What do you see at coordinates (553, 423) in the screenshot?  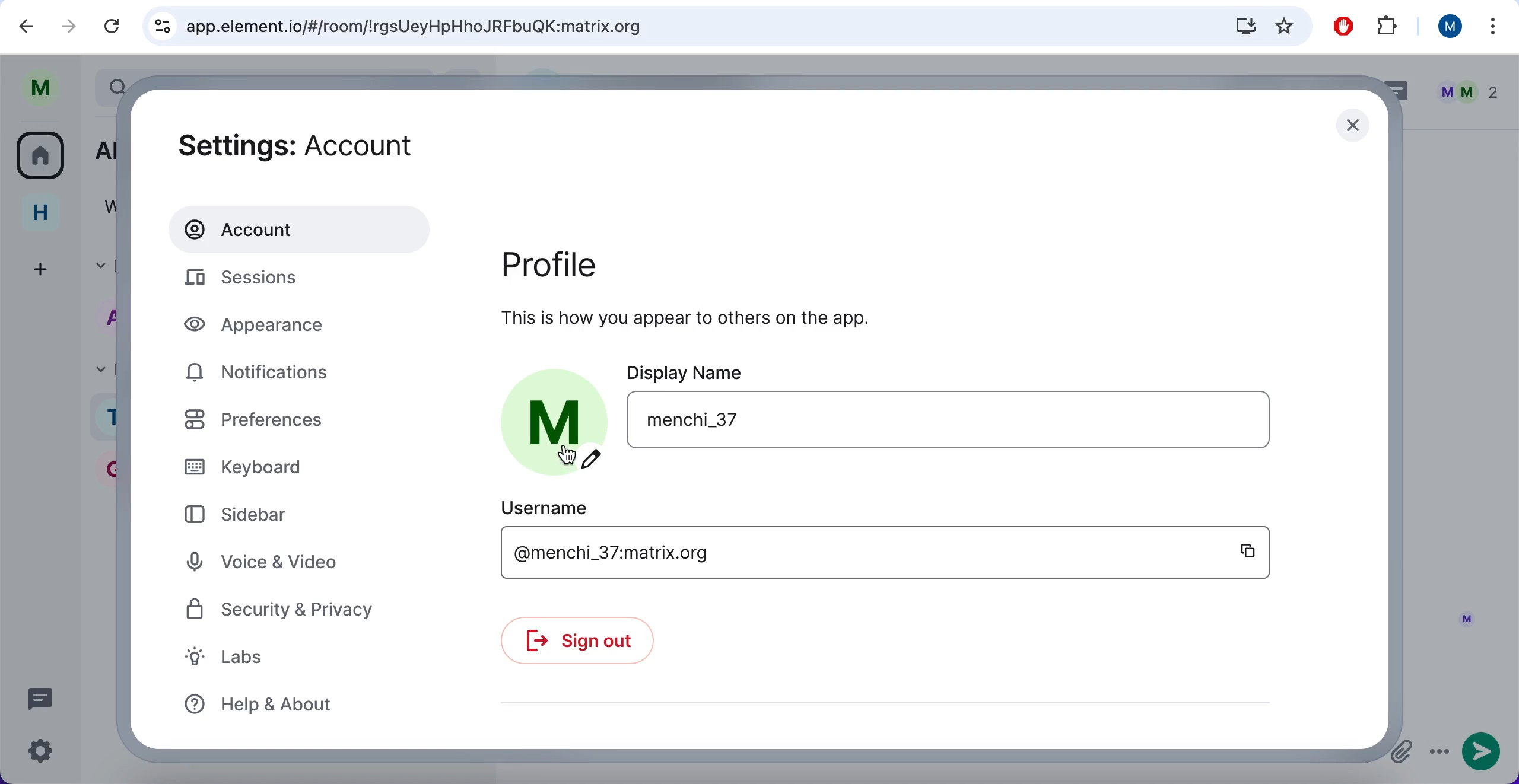 I see `profile picture` at bounding box center [553, 423].